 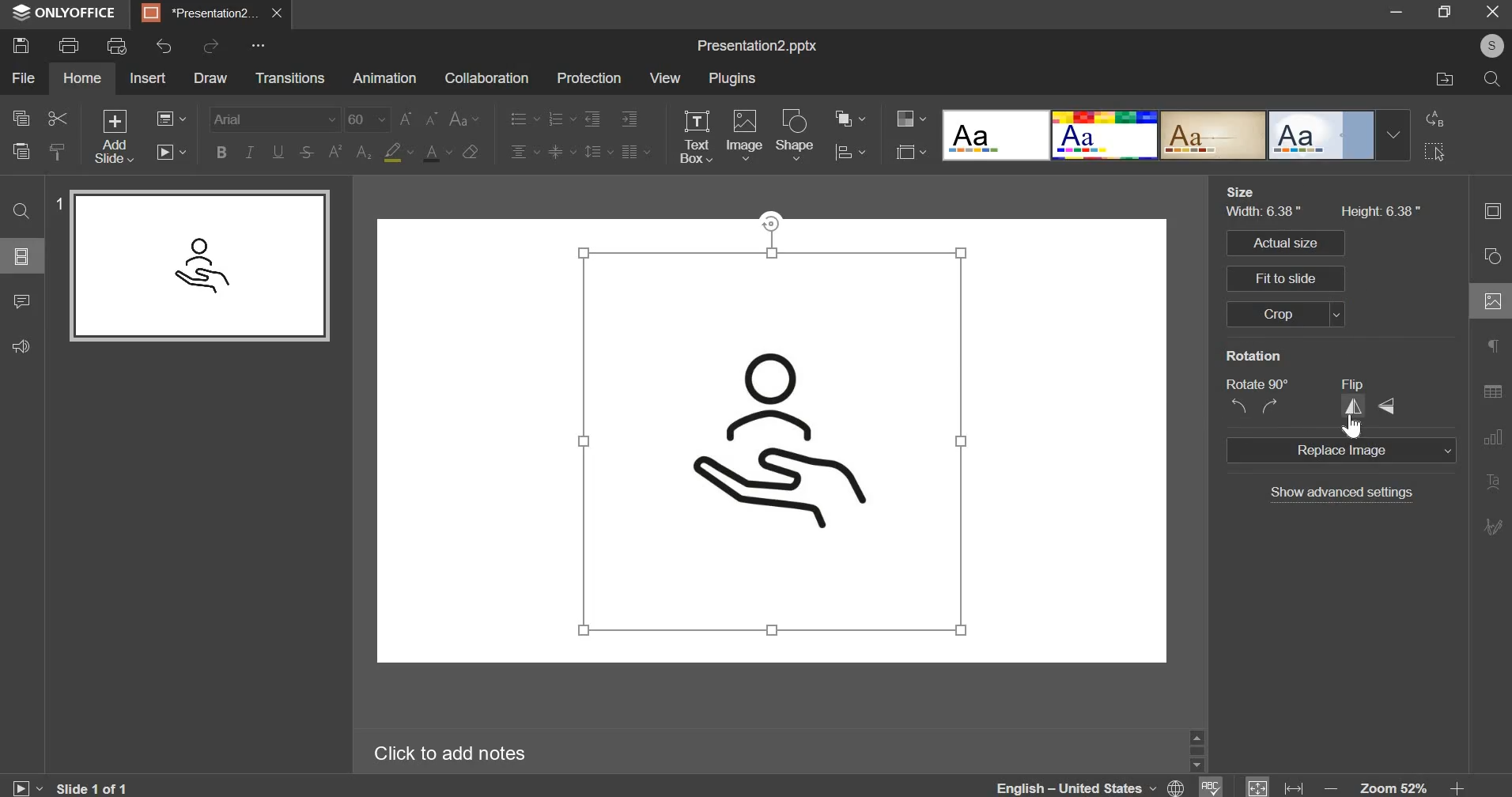 What do you see at coordinates (852, 154) in the screenshot?
I see `align shape` at bounding box center [852, 154].